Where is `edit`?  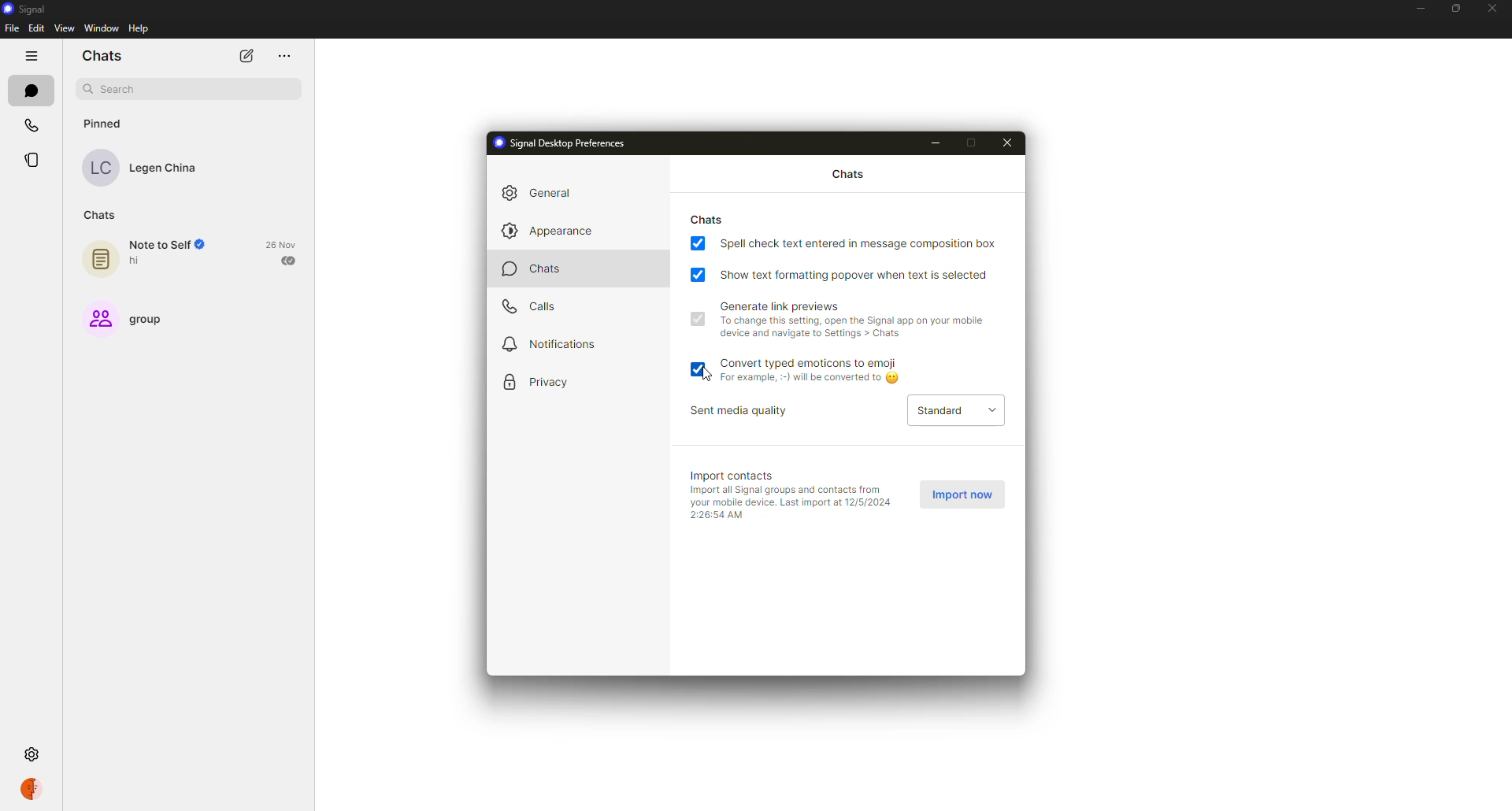
edit is located at coordinates (36, 28).